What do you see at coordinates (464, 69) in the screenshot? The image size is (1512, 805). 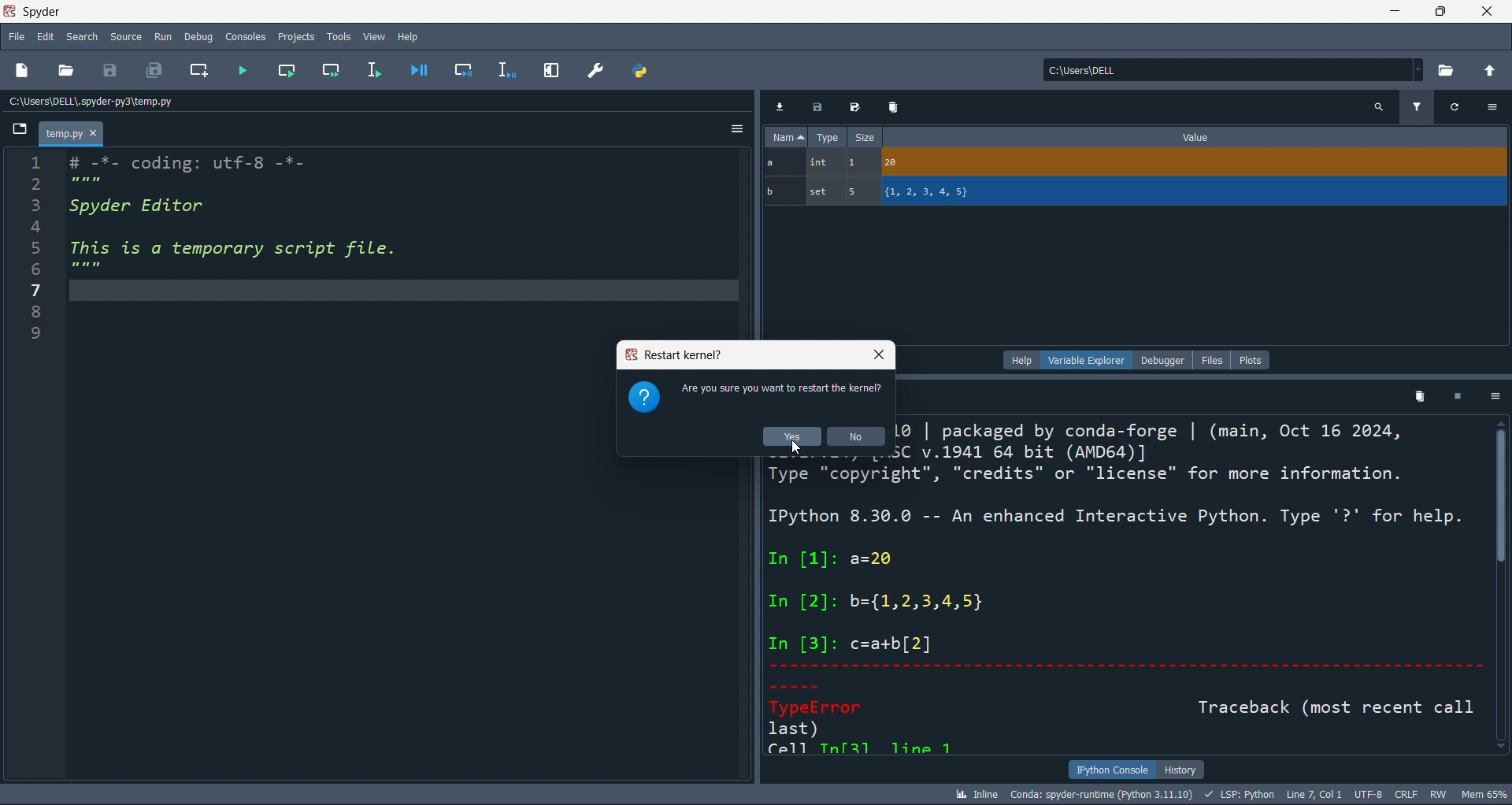 I see `debug cell` at bounding box center [464, 69].